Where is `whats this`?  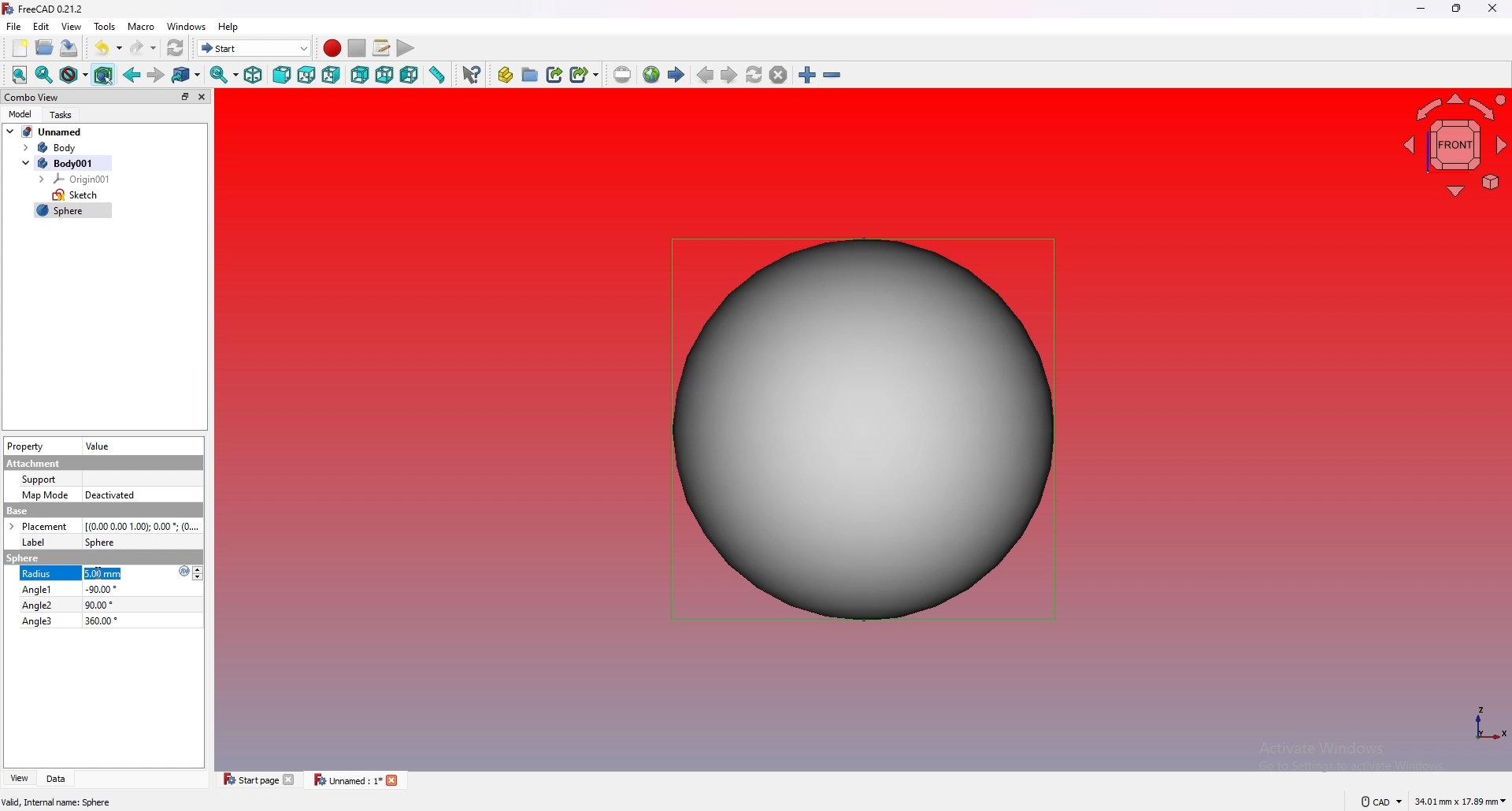
whats this is located at coordinates (472, 74).